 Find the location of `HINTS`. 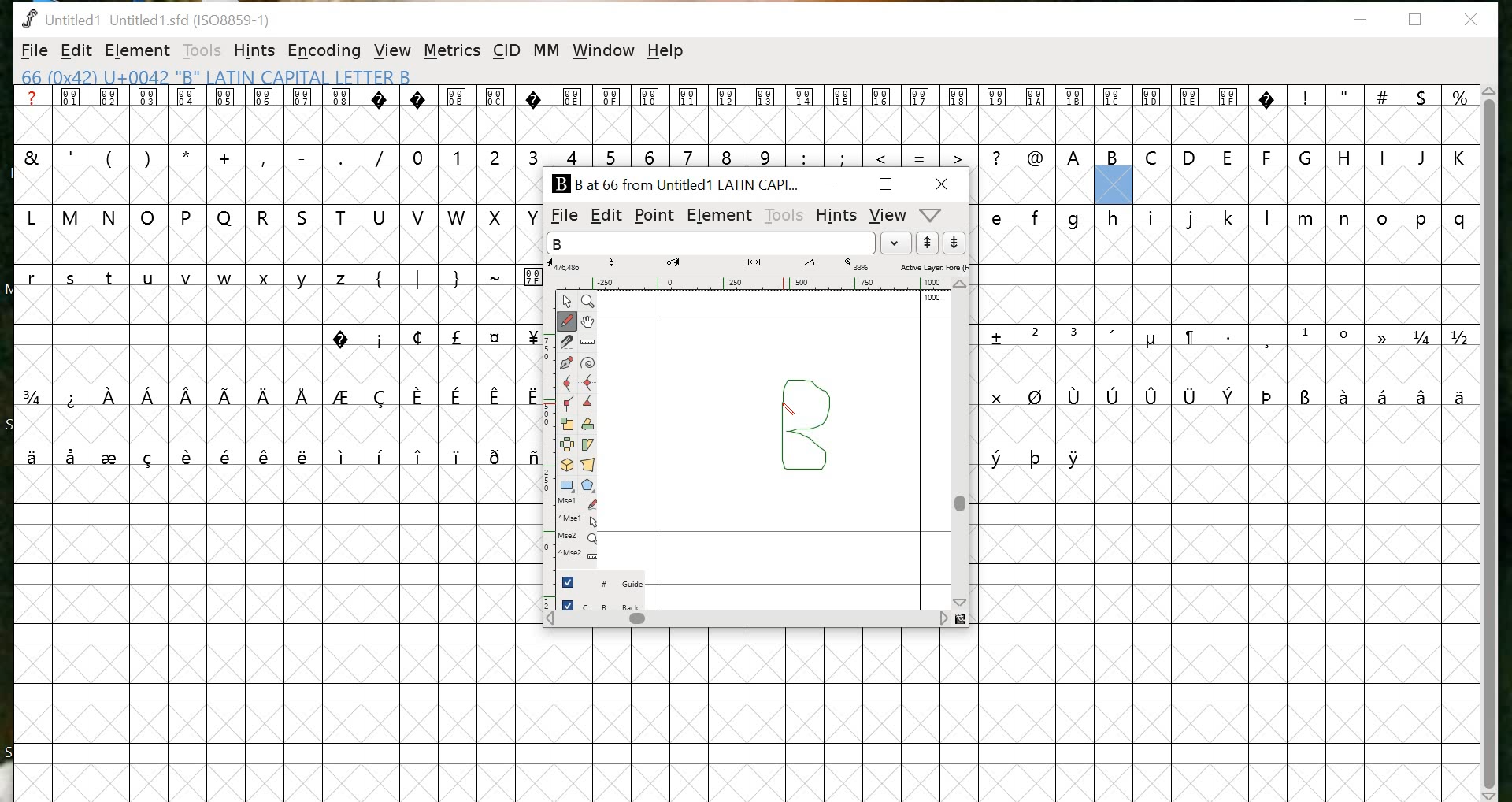

HINTS is located at coordinates (254, 51).